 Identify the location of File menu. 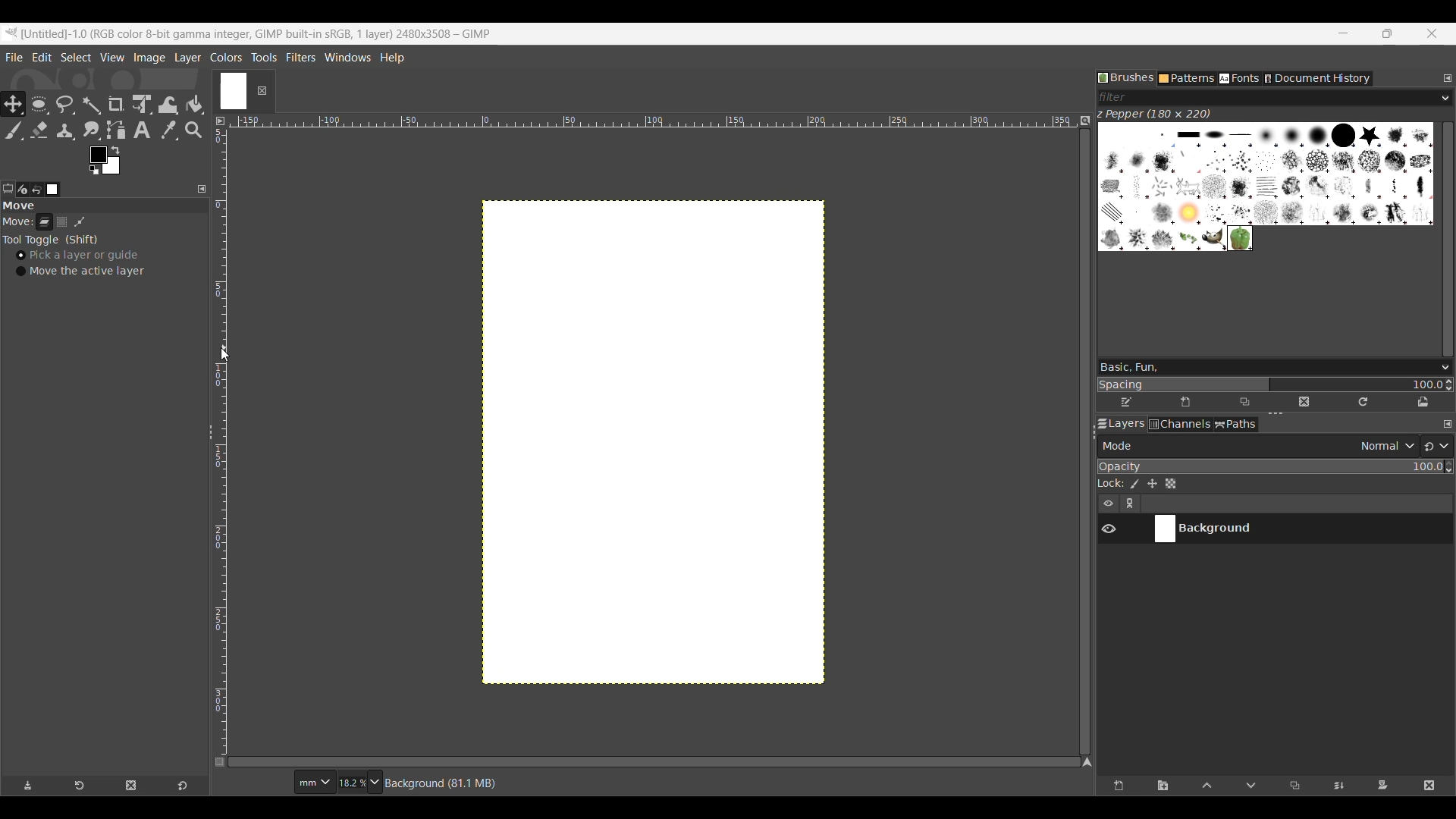
(14, 58).